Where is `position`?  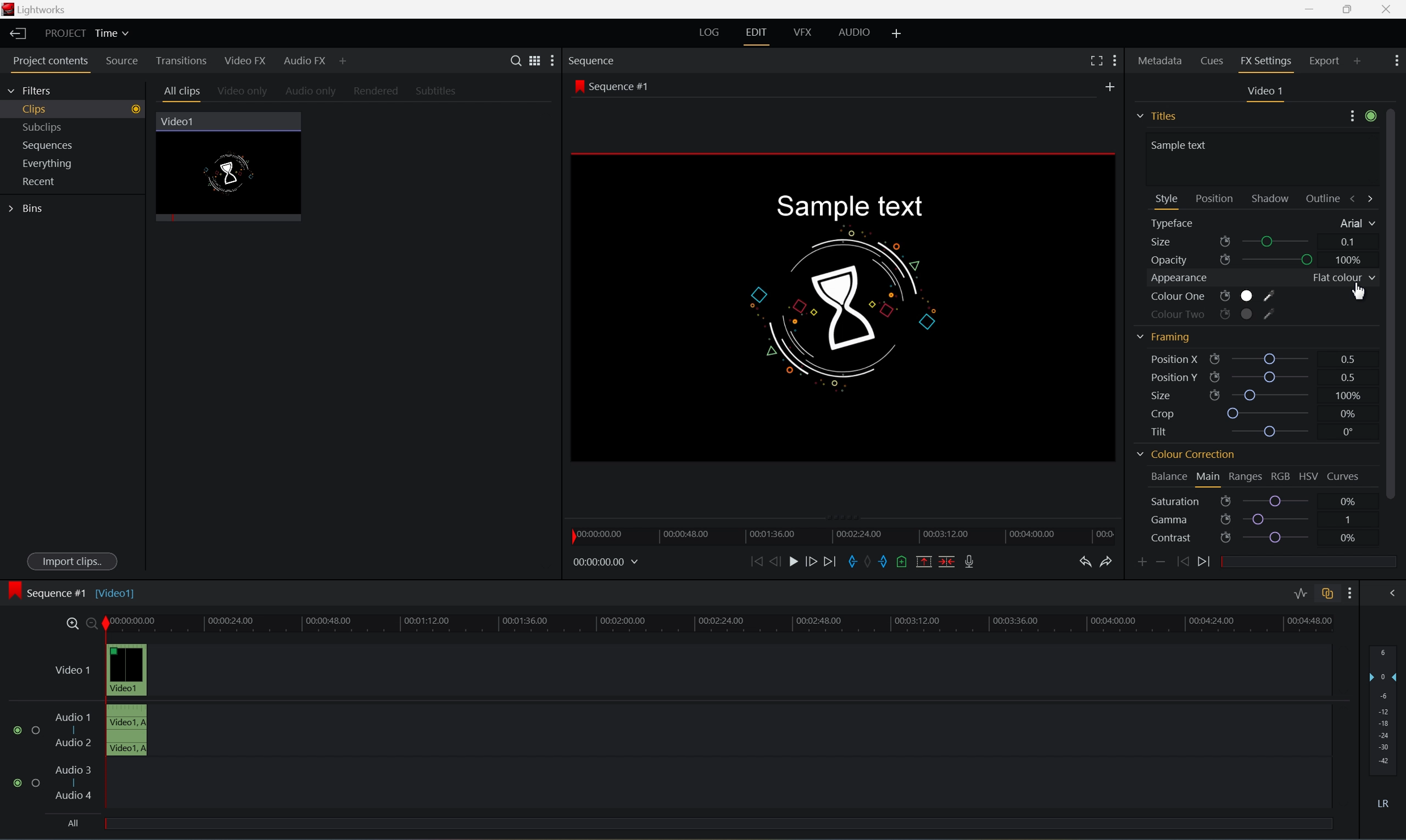
position is located at coordinates (1215, 198).